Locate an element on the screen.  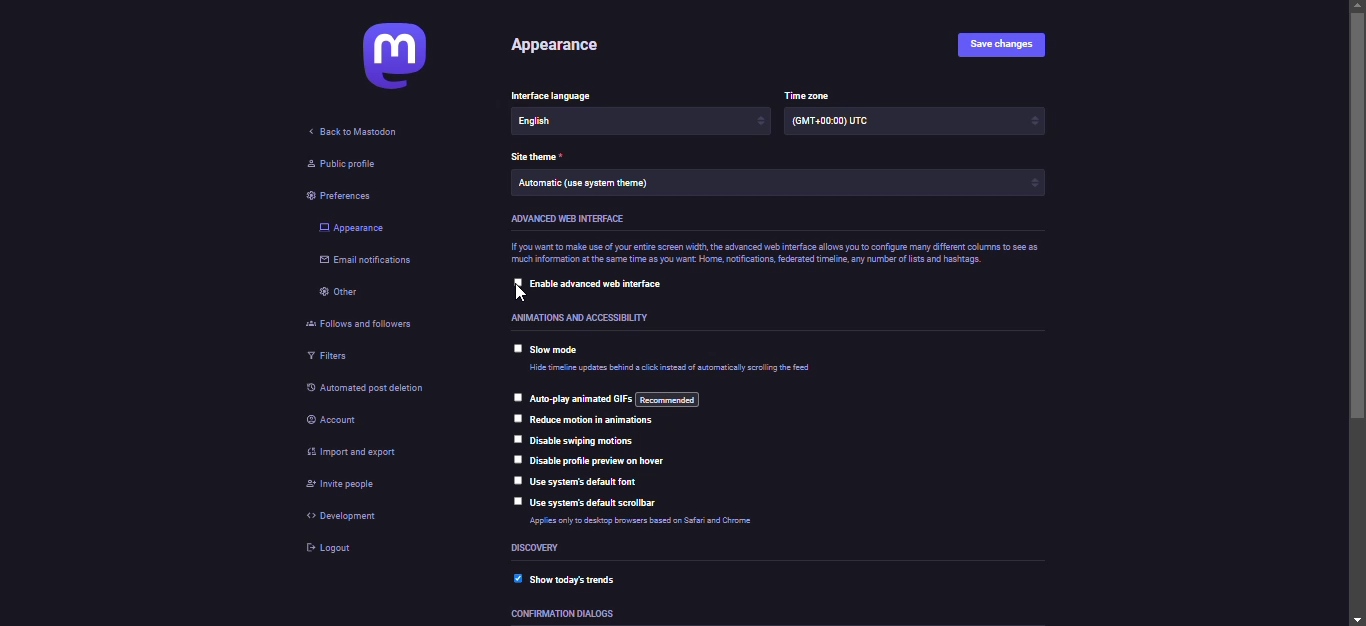
Animations and accessibility is located at coordinates (580, 317).